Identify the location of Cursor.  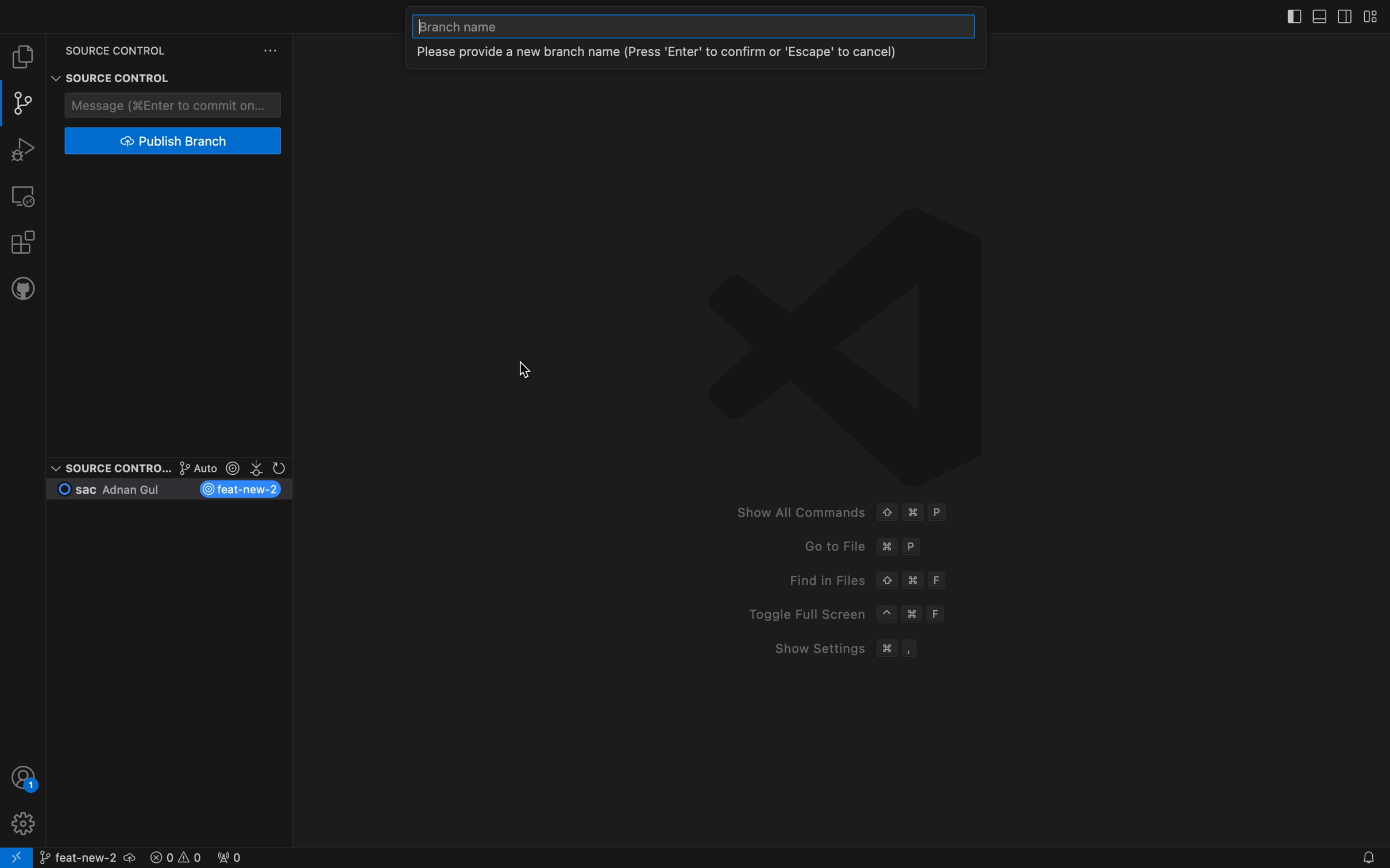
(524, 369).